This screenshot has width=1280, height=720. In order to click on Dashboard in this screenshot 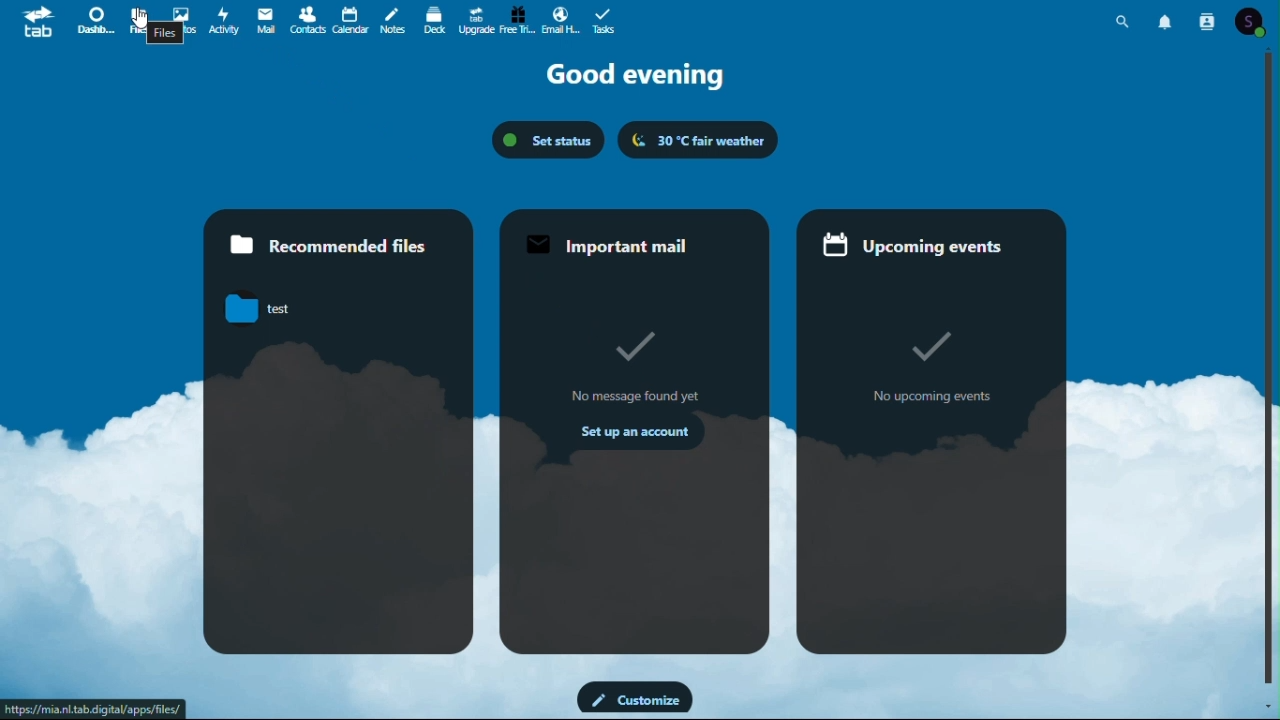, I will do `click(94, 21)`.